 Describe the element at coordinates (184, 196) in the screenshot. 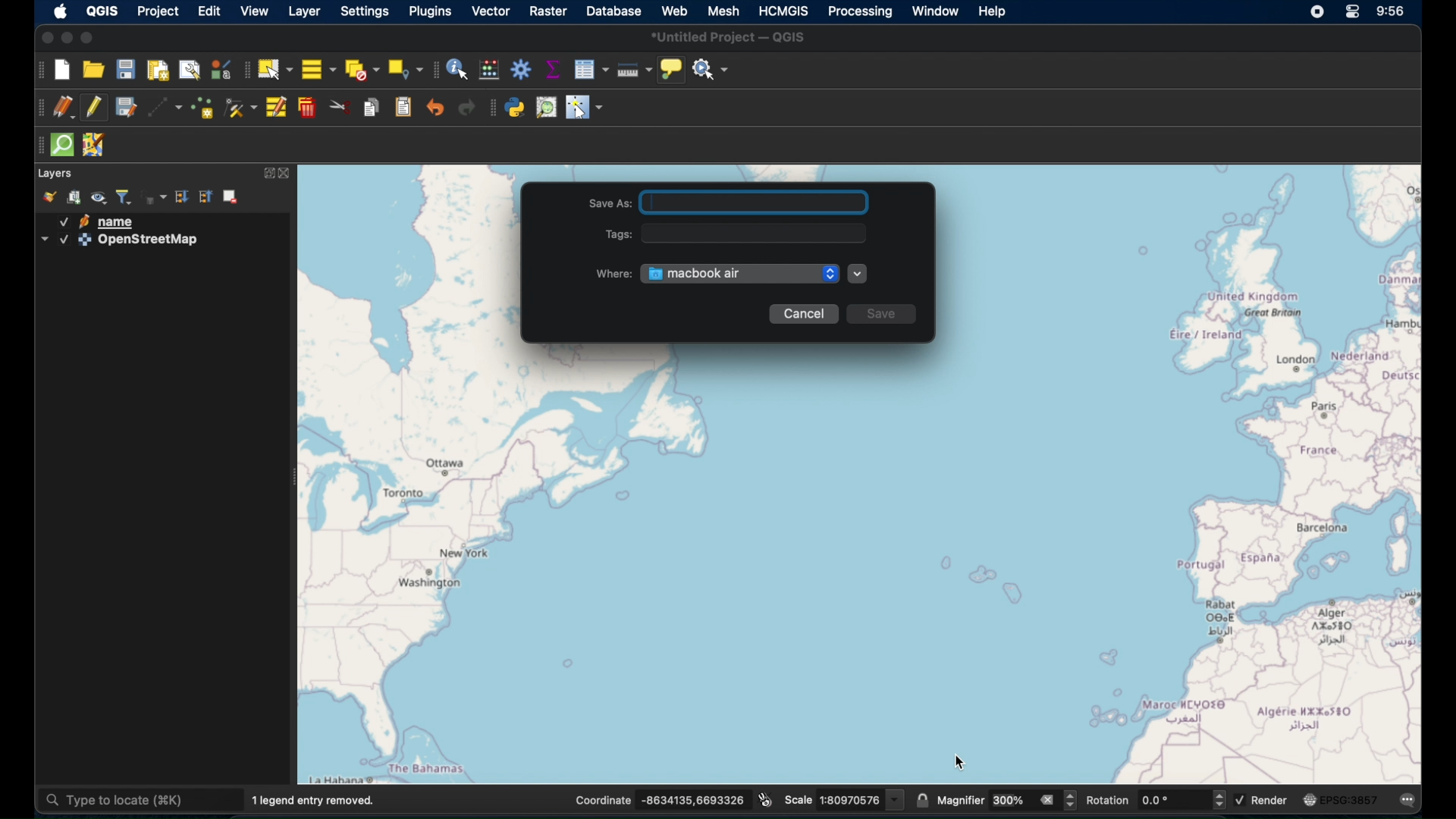

I see `expand all` at that location.